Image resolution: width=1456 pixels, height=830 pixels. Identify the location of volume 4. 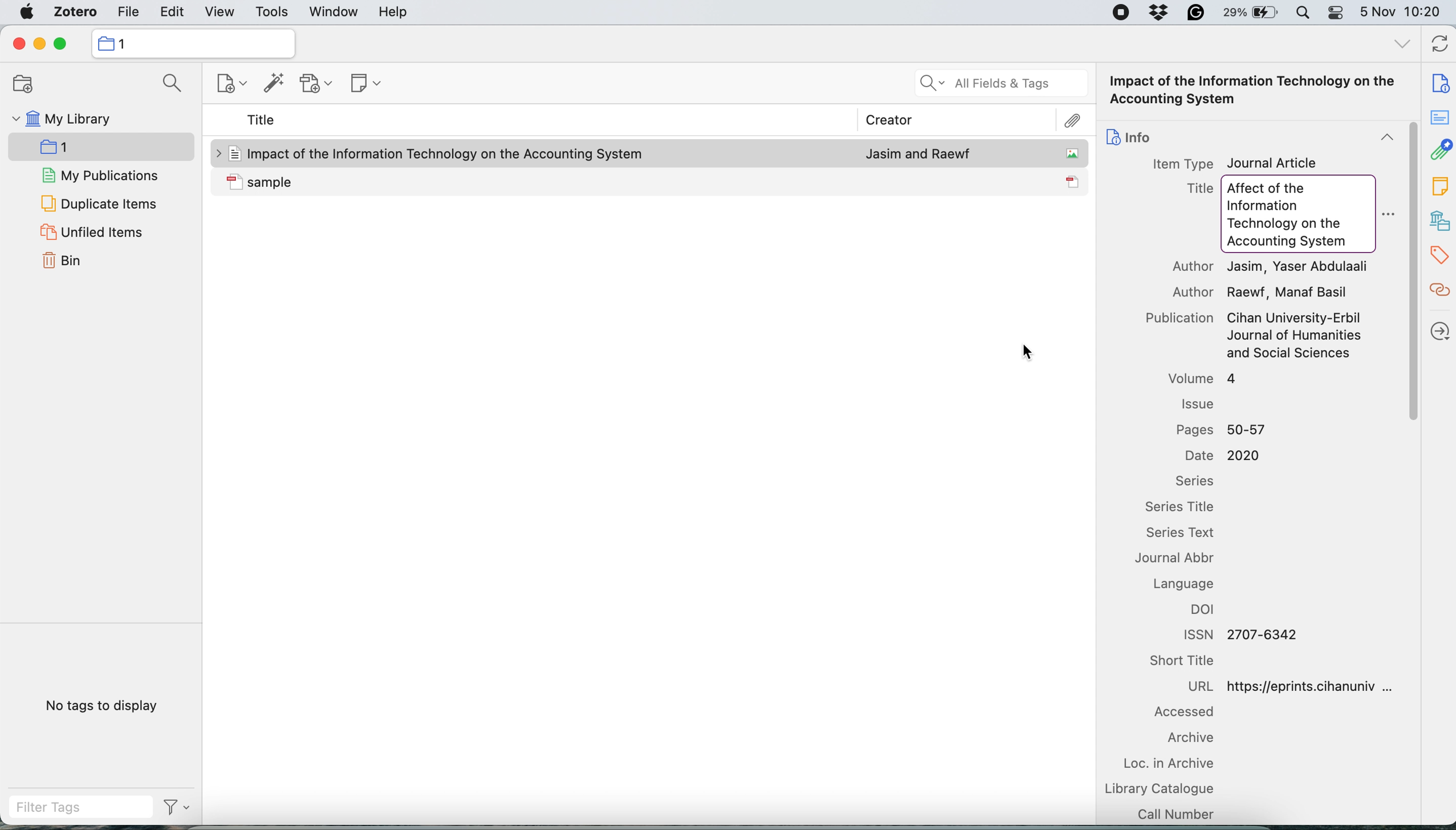
(1204, 377).